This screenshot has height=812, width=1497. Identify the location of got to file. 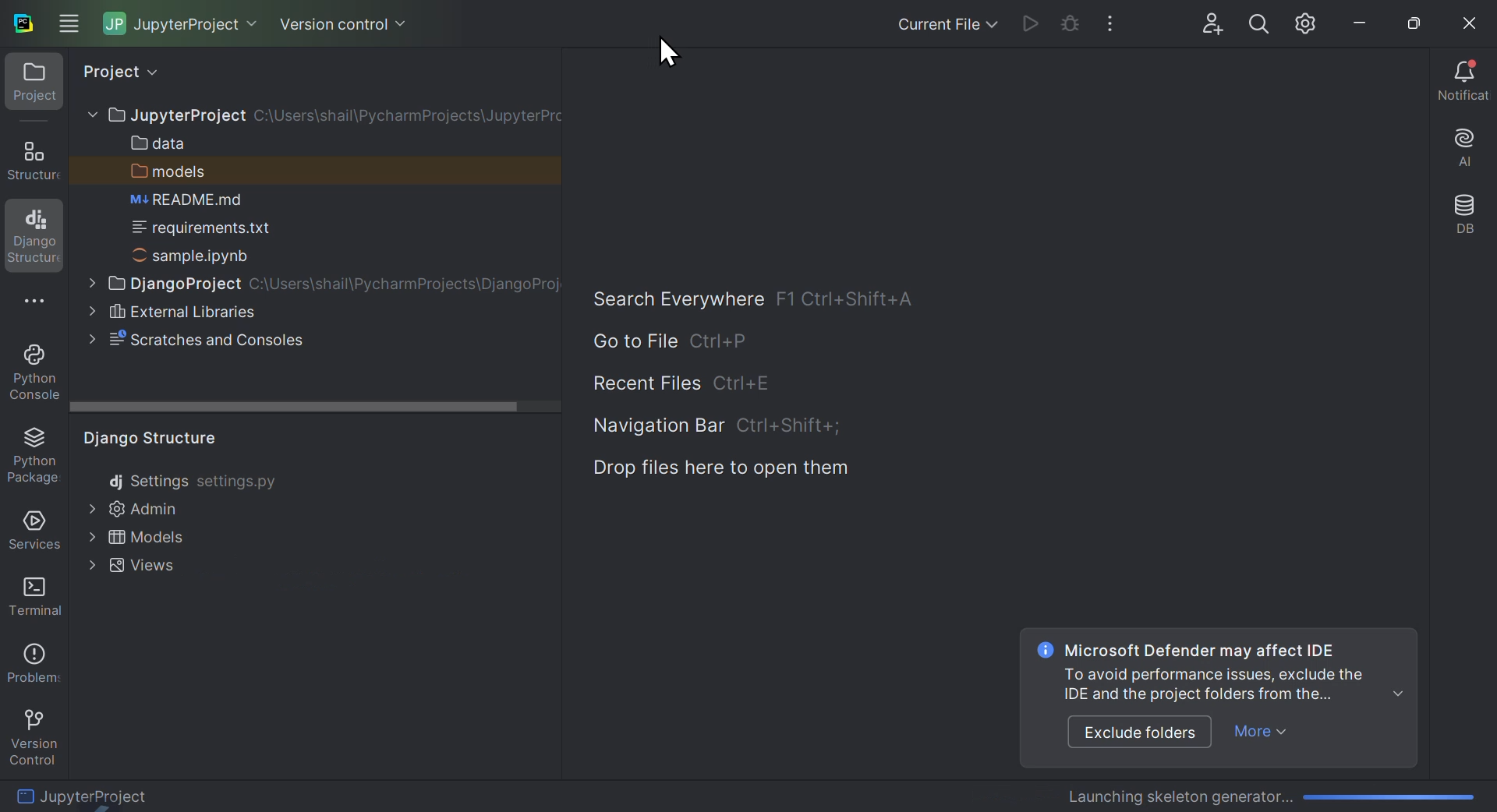
(625, 342).